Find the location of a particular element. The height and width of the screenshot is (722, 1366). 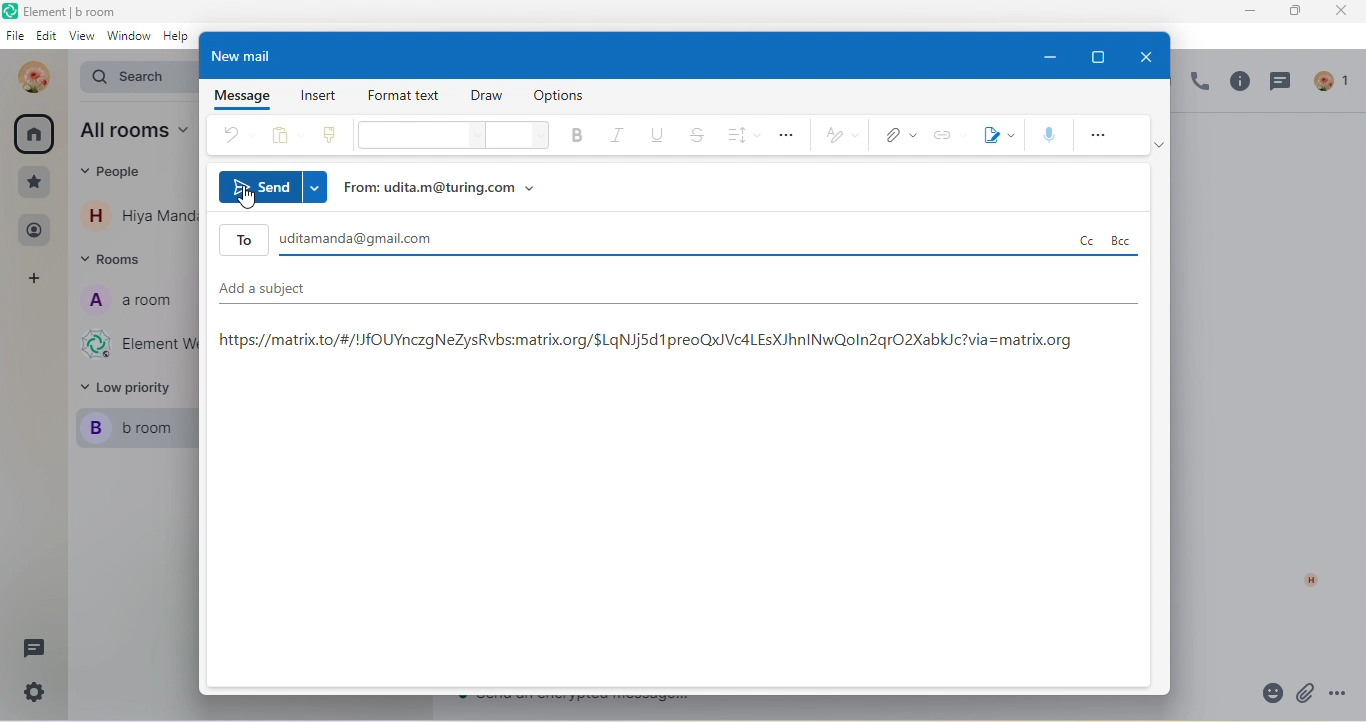

thread is located at coordinates (1285, 85).